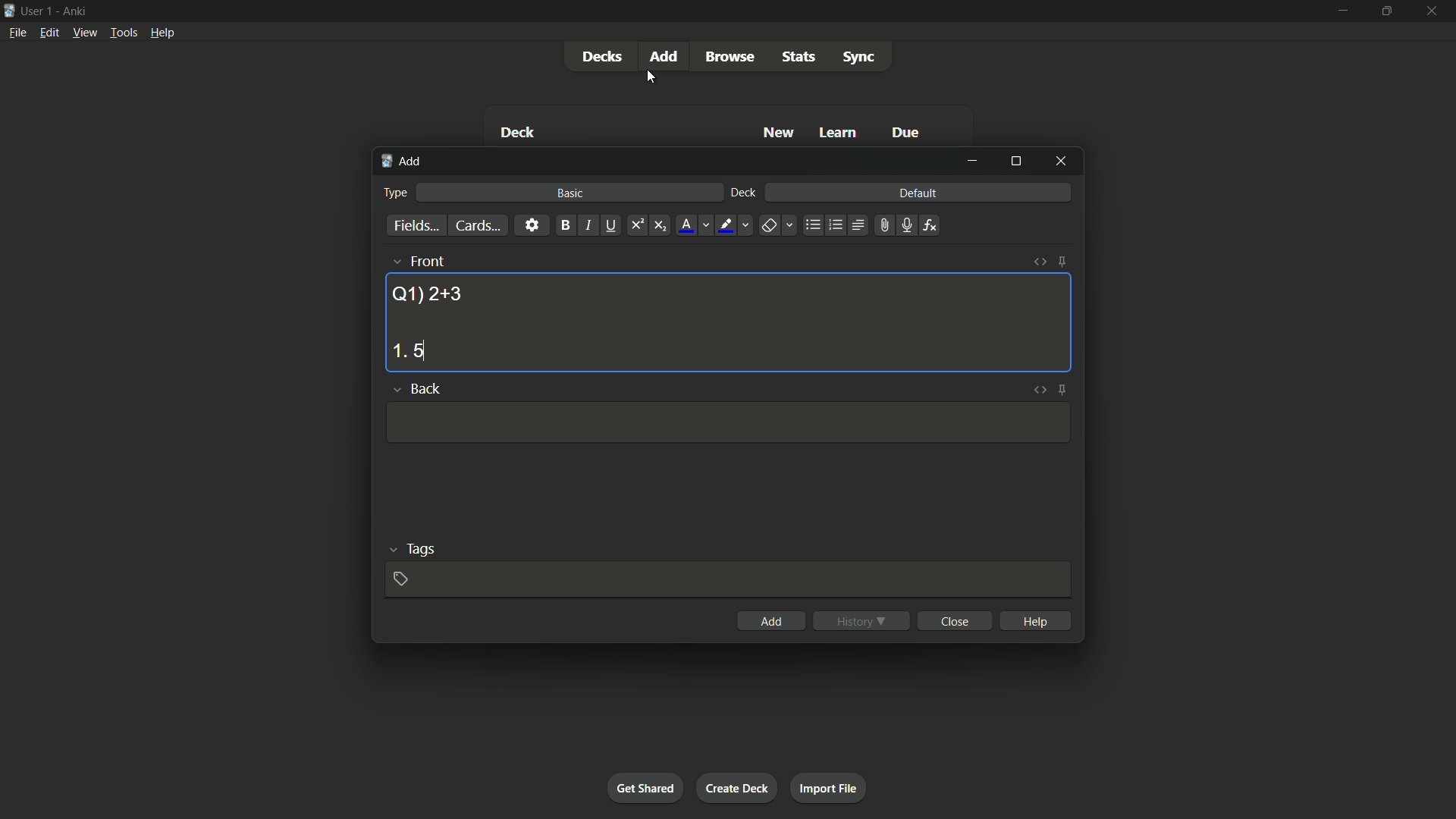  What do you see at coordinates (857, 226) in the screenshot?
I see `alignment` at bounding box center [857, 226].